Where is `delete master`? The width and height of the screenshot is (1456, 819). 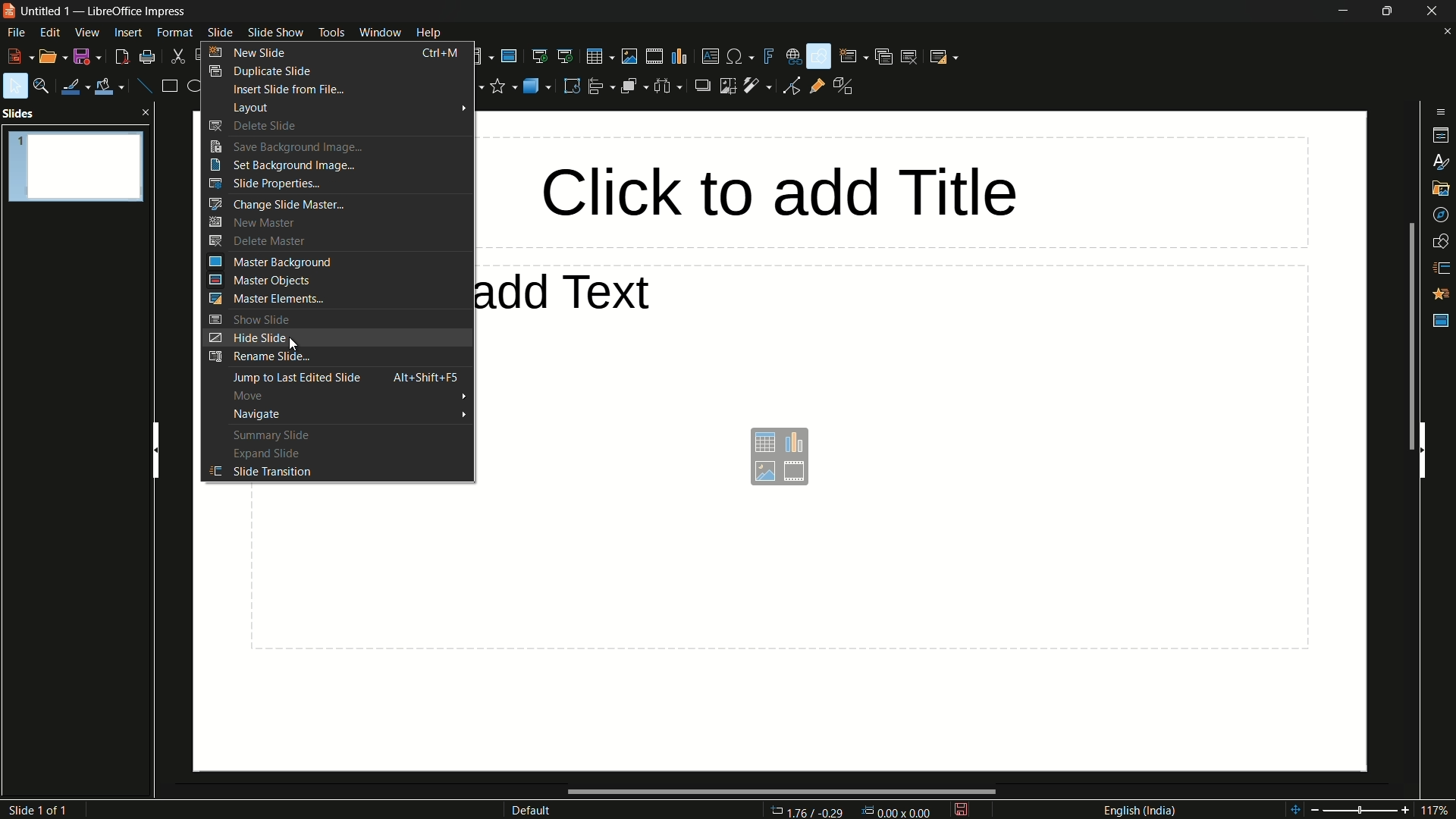
delete master is located at coordinates (257, 241).